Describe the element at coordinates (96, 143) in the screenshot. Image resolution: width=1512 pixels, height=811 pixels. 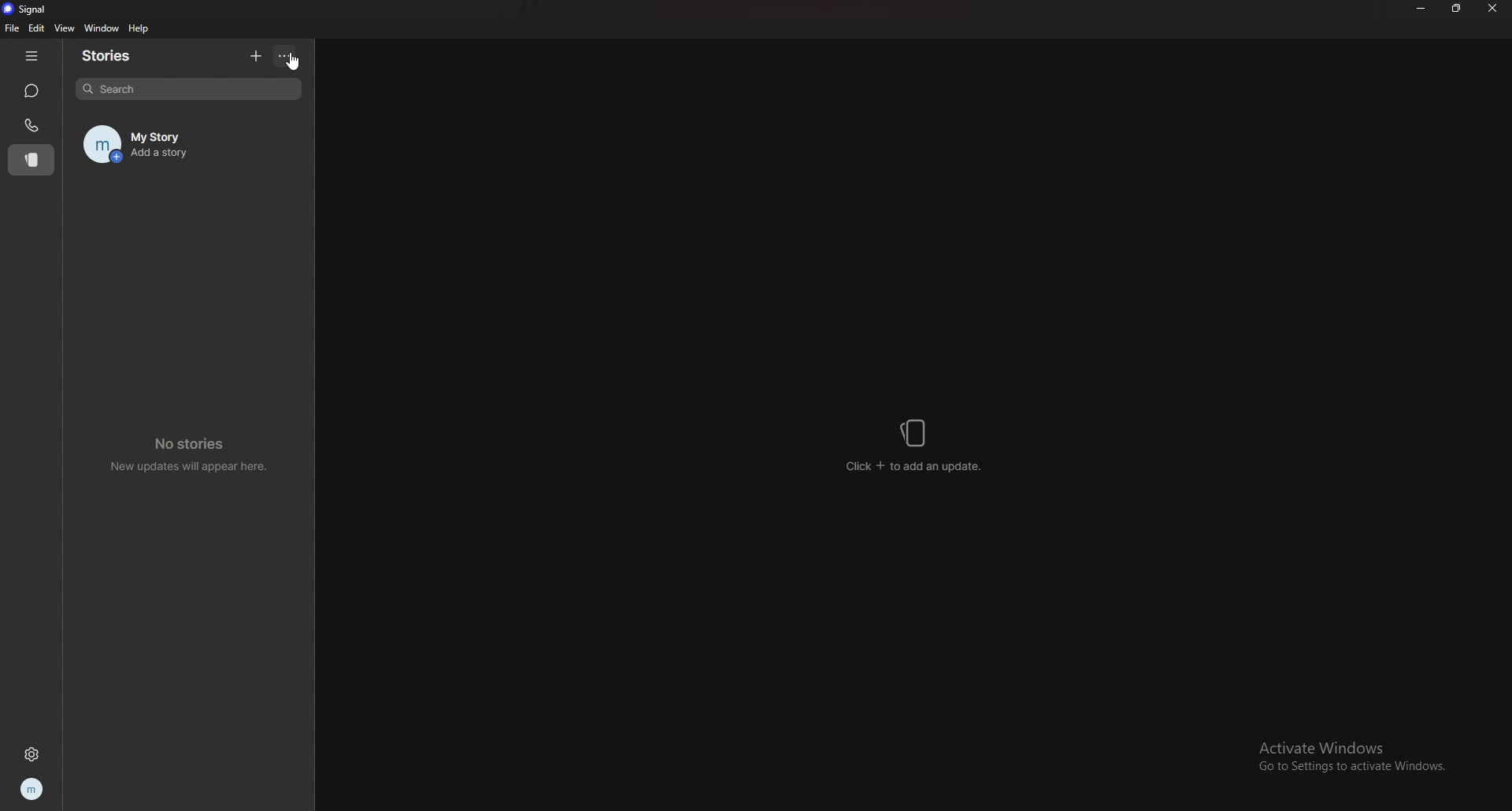
I see `profile image` at that location.